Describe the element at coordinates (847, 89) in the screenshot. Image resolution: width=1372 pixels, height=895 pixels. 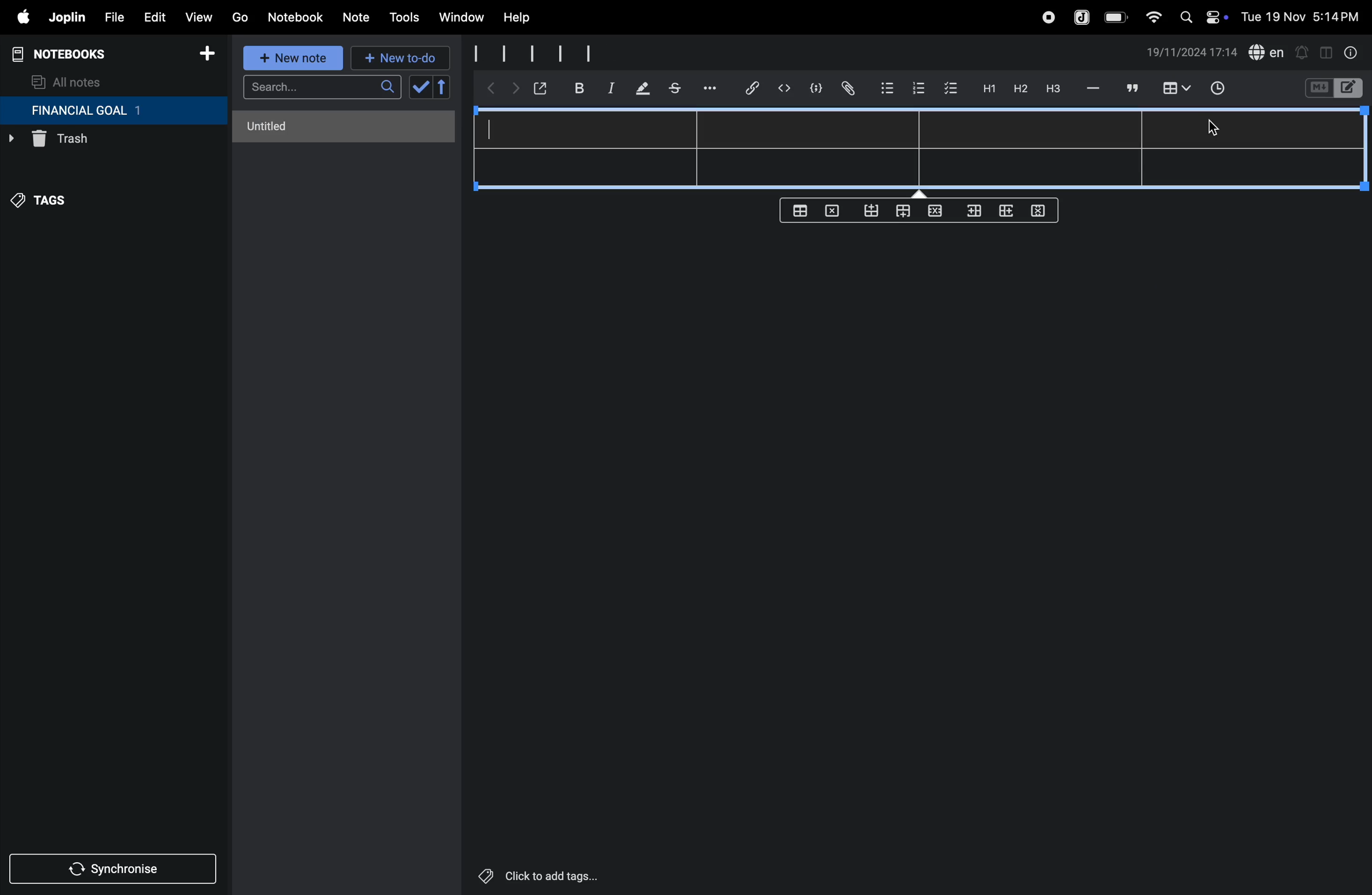
I see `attach file` at that location.